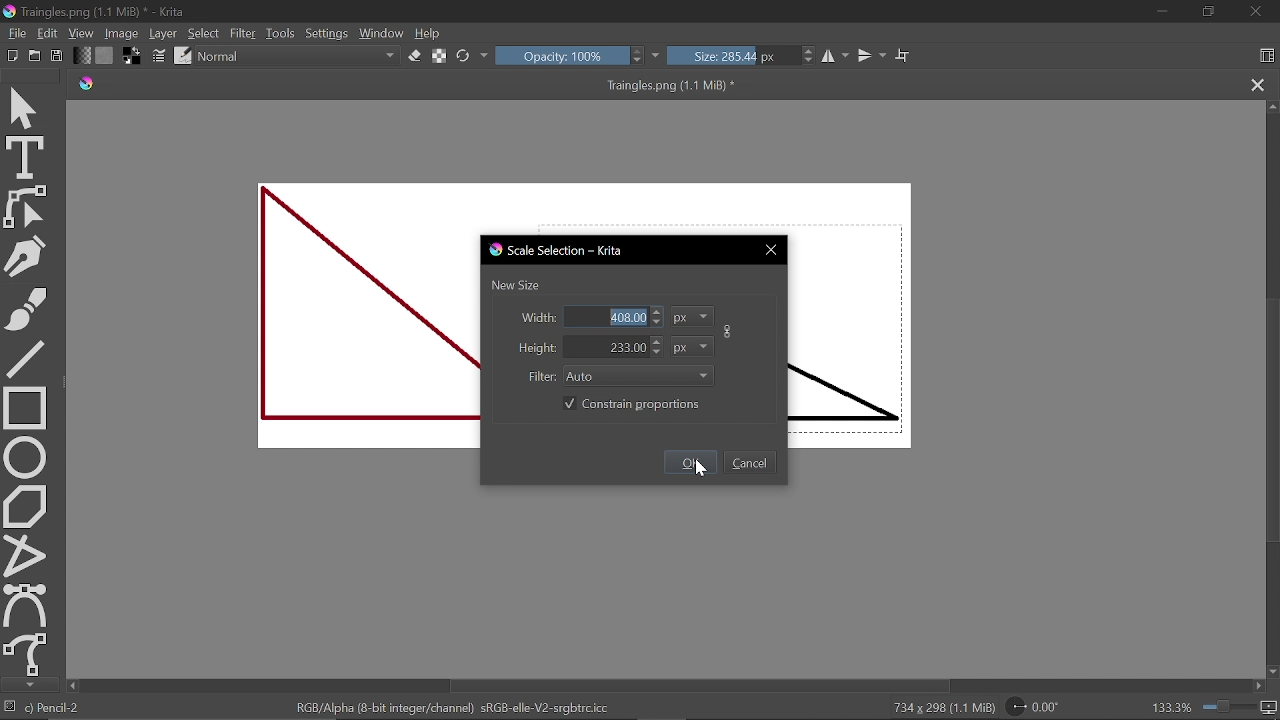 This screenshot has width=1280, height=720. What do you see at coordinates (559, 250) in the screenshot?
I see `Scale Selection - Krita` at bounding box center [559, 250].